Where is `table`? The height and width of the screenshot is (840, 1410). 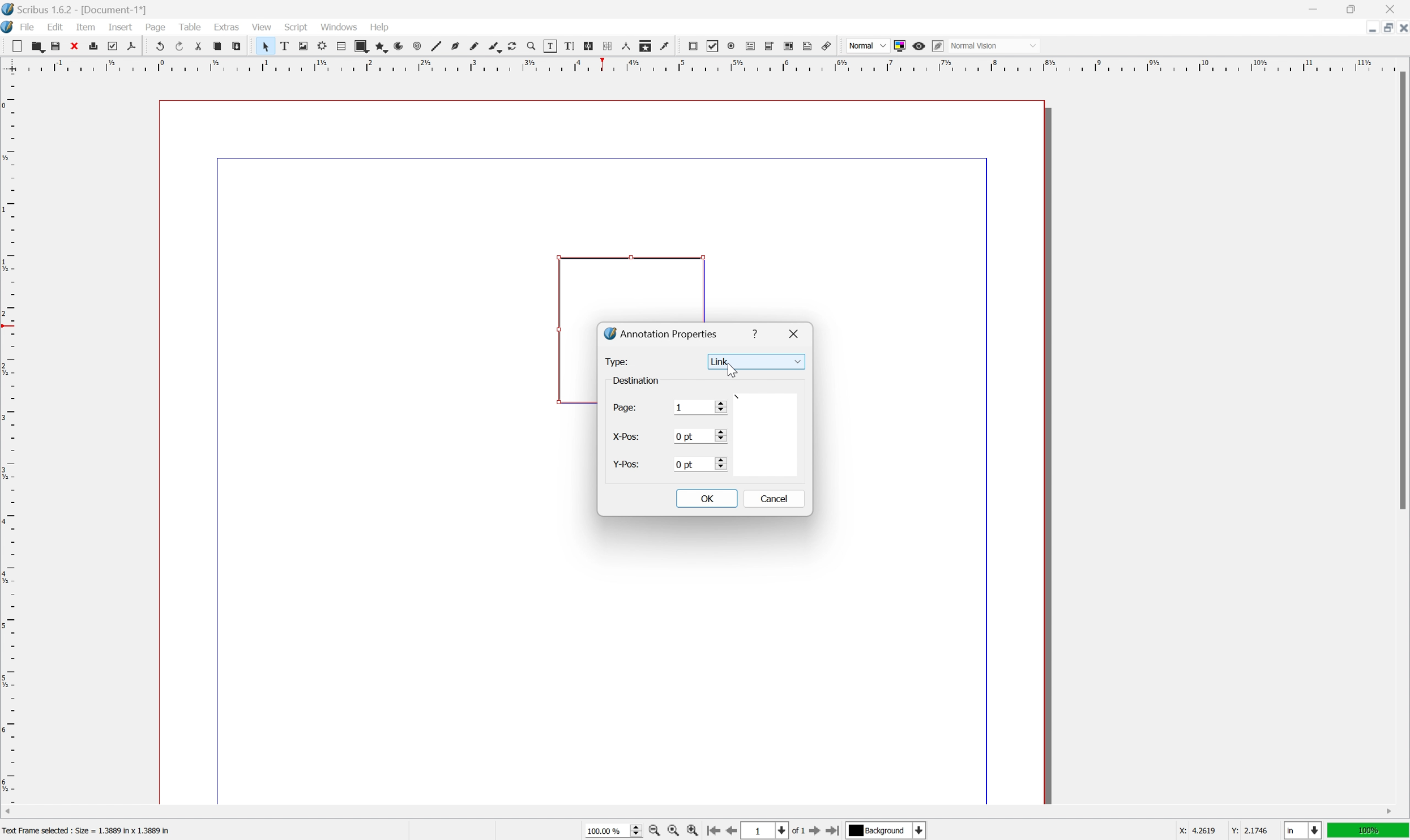
table is located at coordinates (341, 46).